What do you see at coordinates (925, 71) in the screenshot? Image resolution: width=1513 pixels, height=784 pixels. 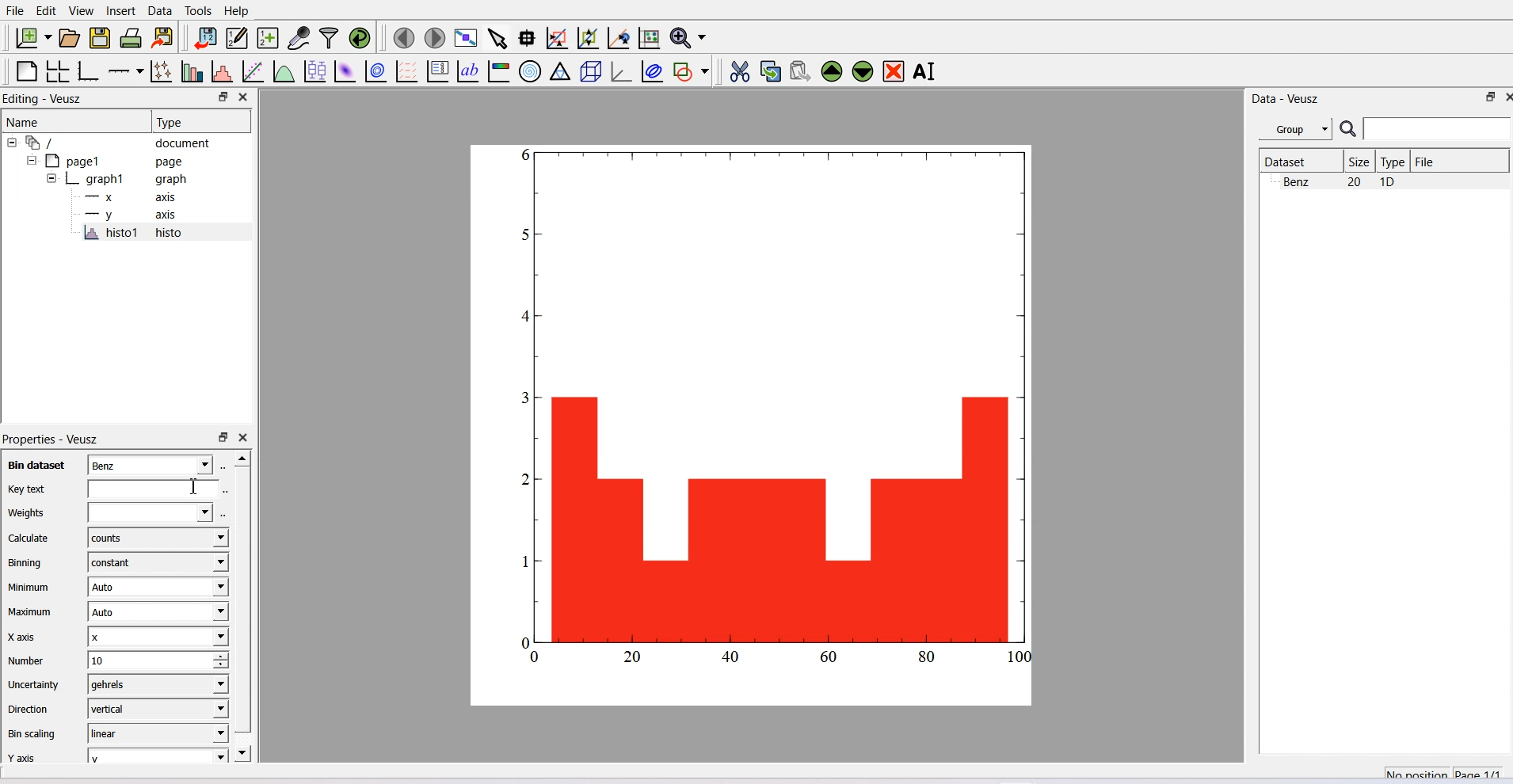 I see `Rename the selected widget` at bounding box center [925, 71].